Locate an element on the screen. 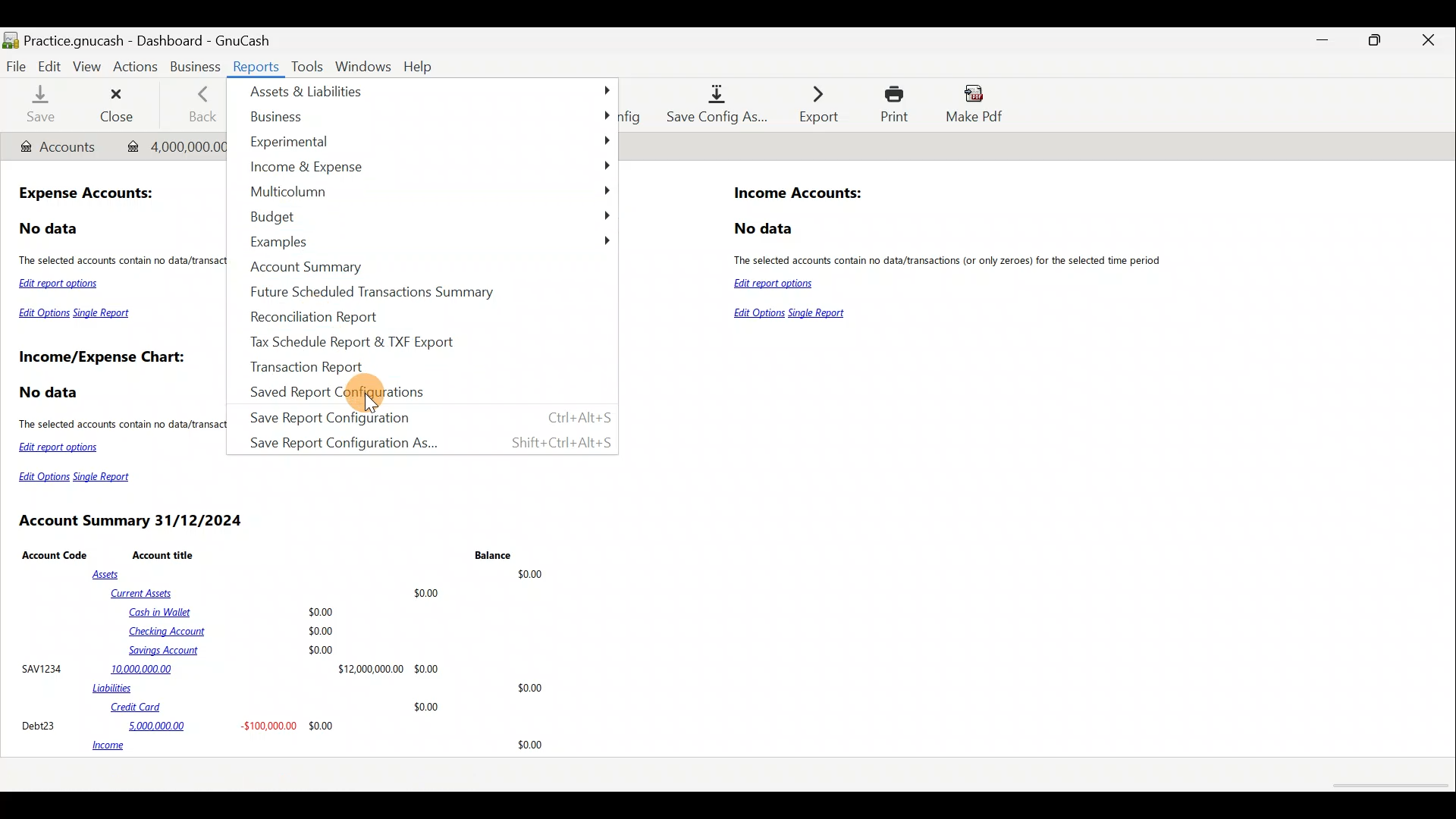 The image size is (1456, 819). Document name is located at coordinates (169, 36).